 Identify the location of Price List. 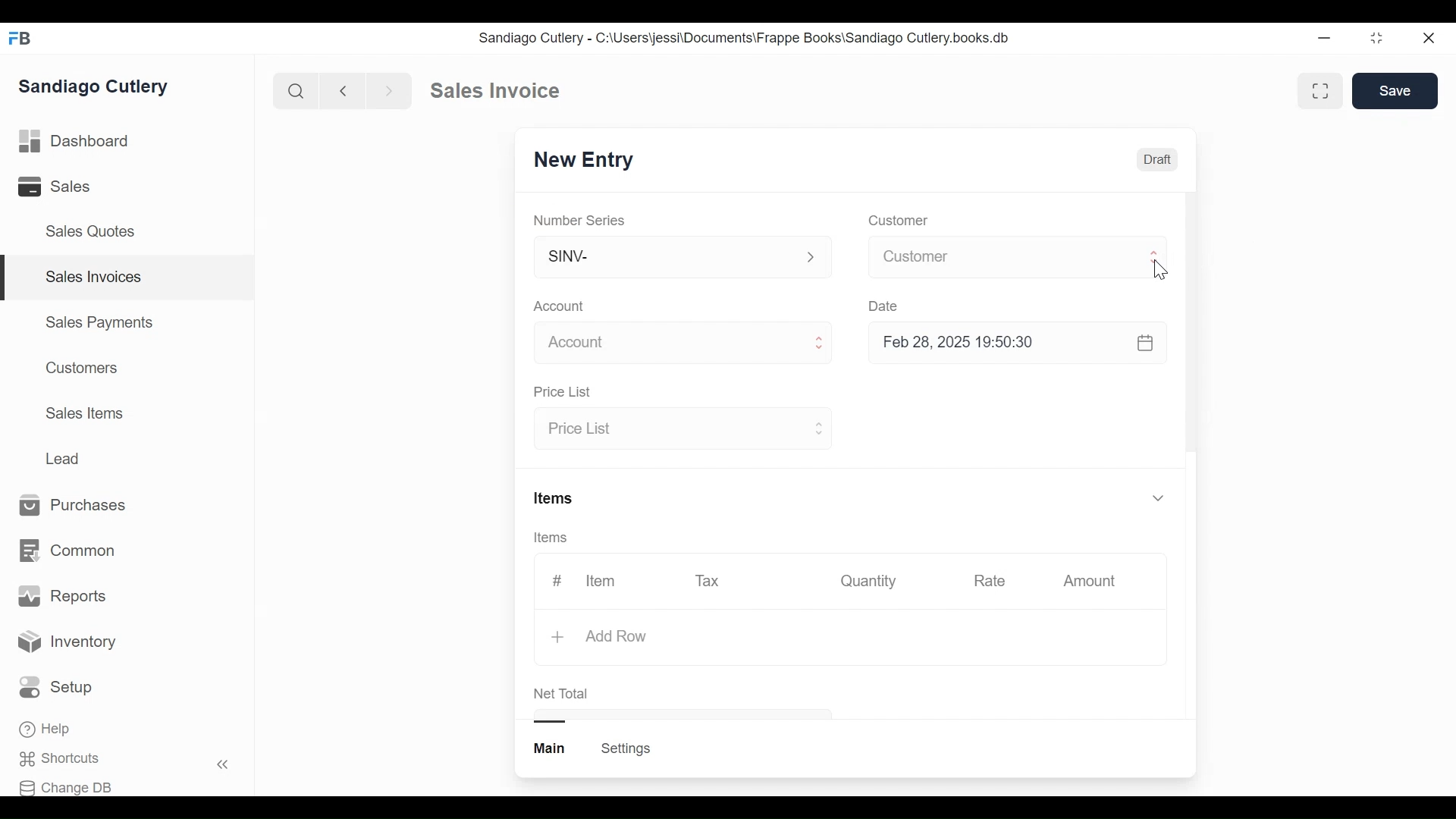
(566, 392).